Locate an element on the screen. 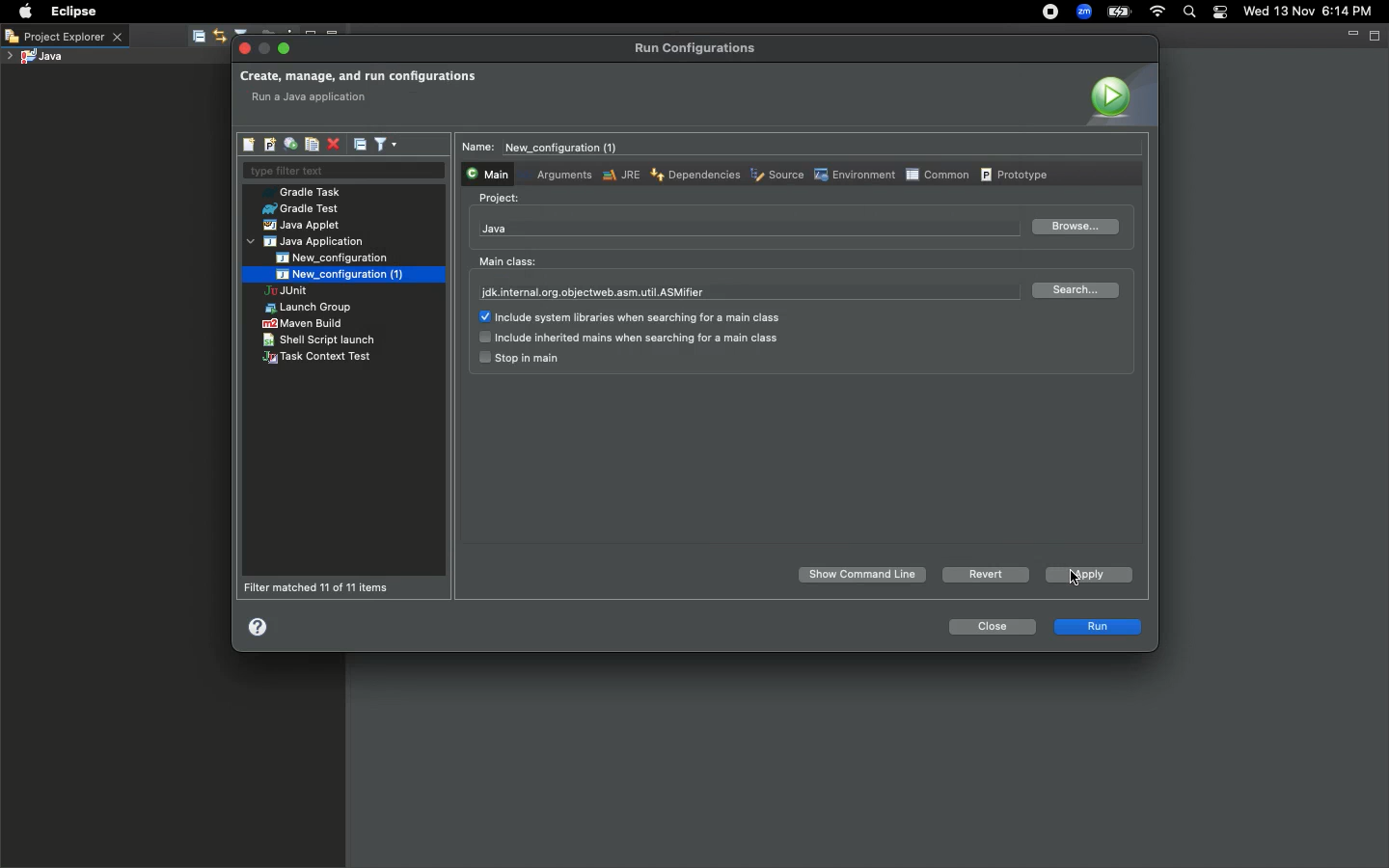 Image resolution: width=1389 pixels, height=868 pixels. Filter matched 11 of 11 items is located at coordinates (322, 587).